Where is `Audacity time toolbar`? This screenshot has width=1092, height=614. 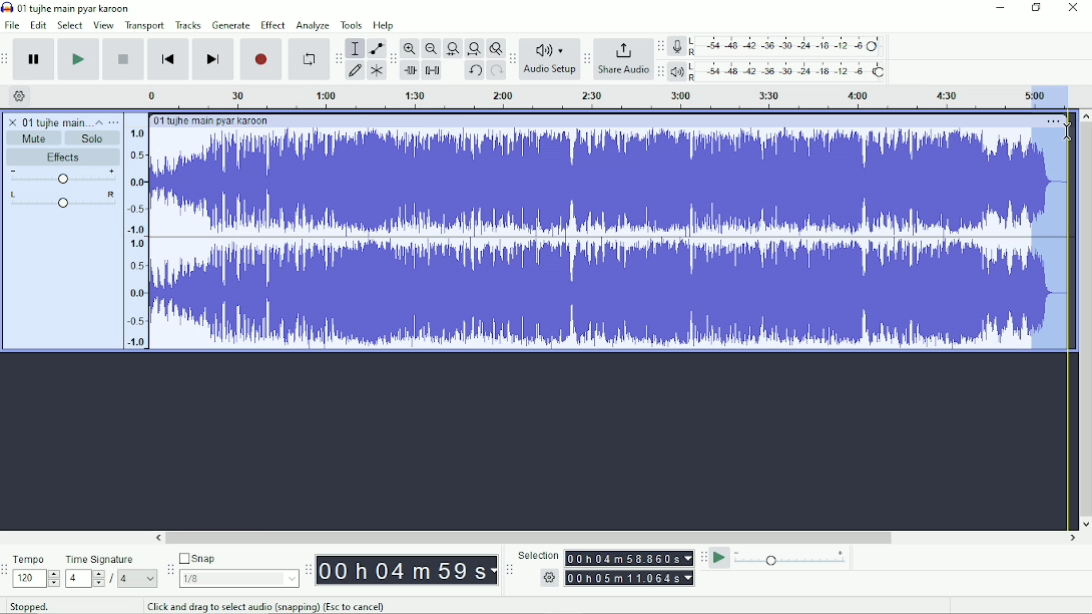 Audacity time toolbar is located at coordinates (309, 570).